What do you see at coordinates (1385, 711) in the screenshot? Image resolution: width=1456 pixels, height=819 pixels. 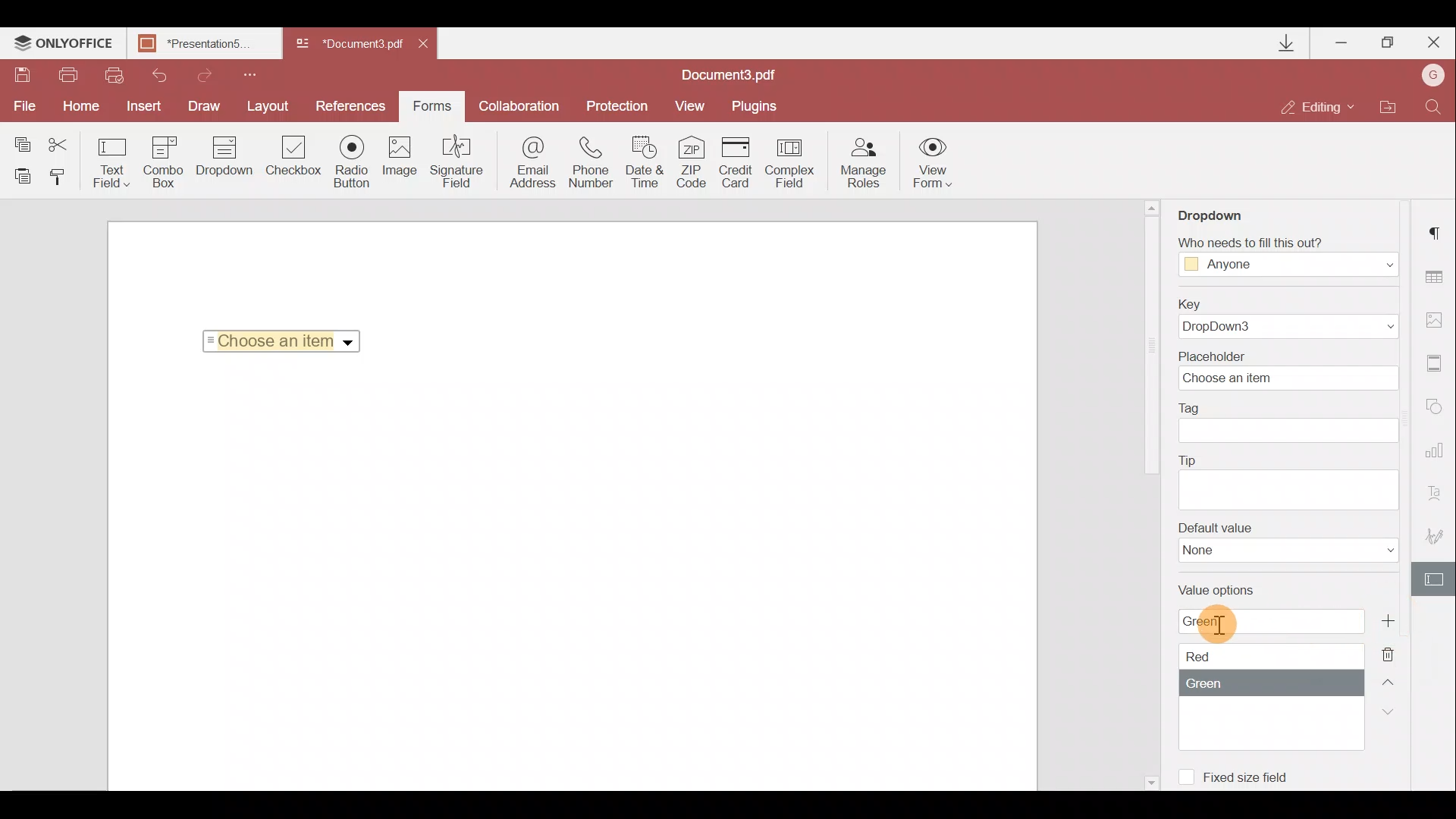 I see `Down` at bounding box center [1385, 711].